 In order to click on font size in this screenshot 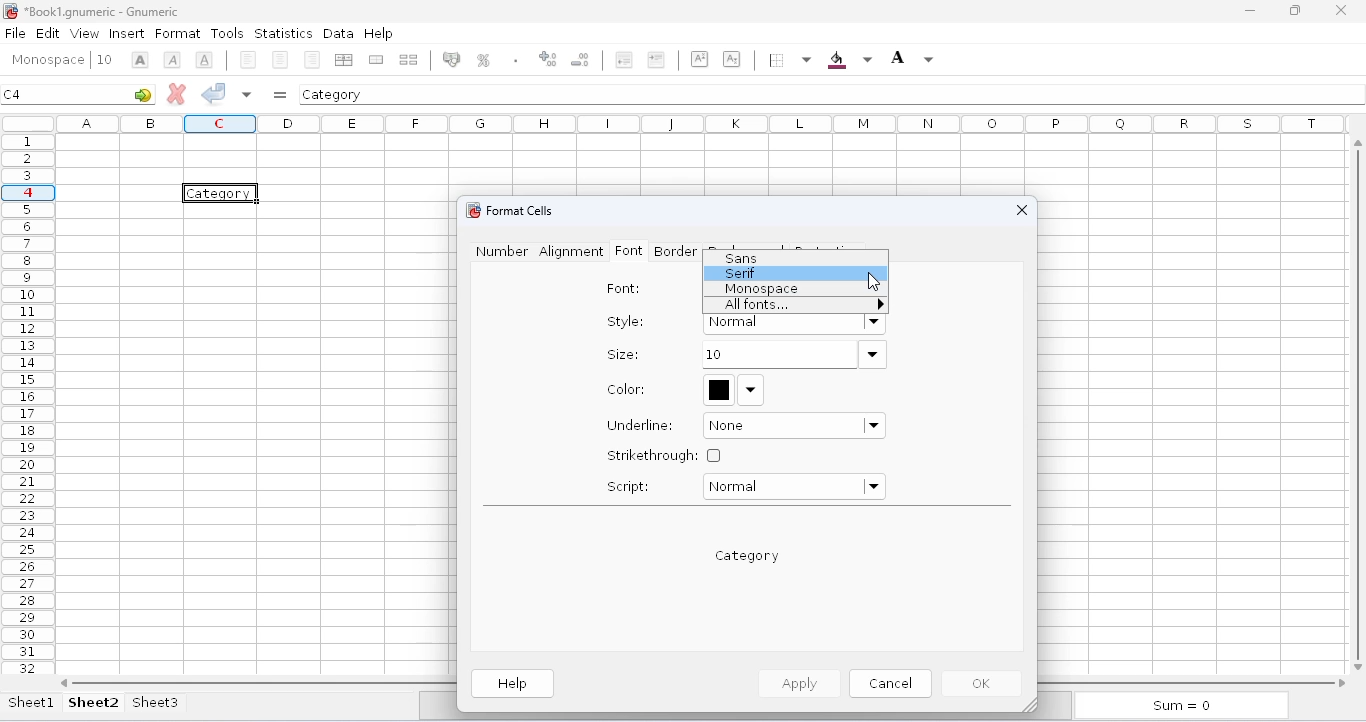, I will do `click(104, 59)`.